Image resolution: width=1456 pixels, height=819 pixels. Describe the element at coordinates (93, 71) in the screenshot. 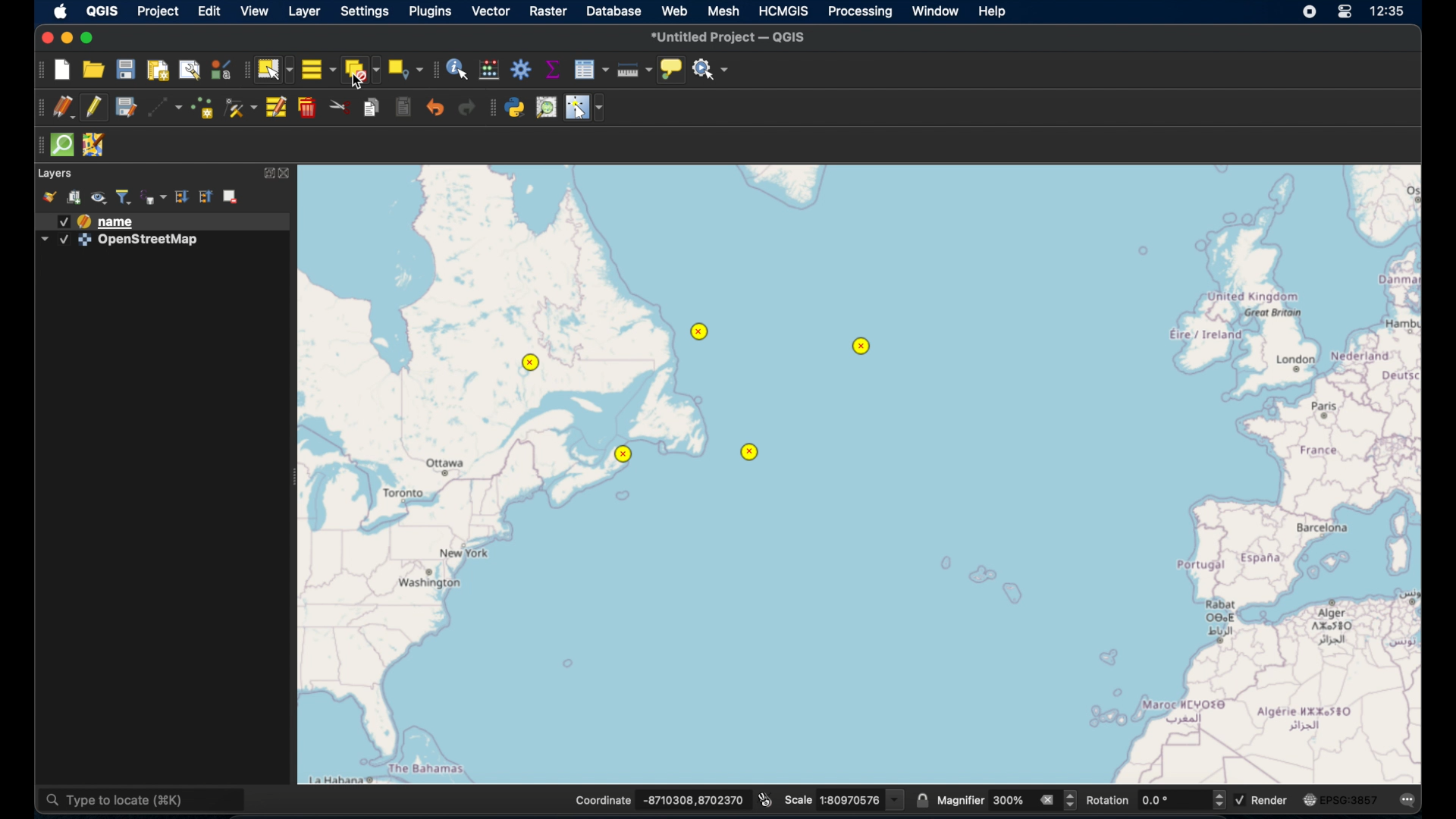

I see `open project` at that location.